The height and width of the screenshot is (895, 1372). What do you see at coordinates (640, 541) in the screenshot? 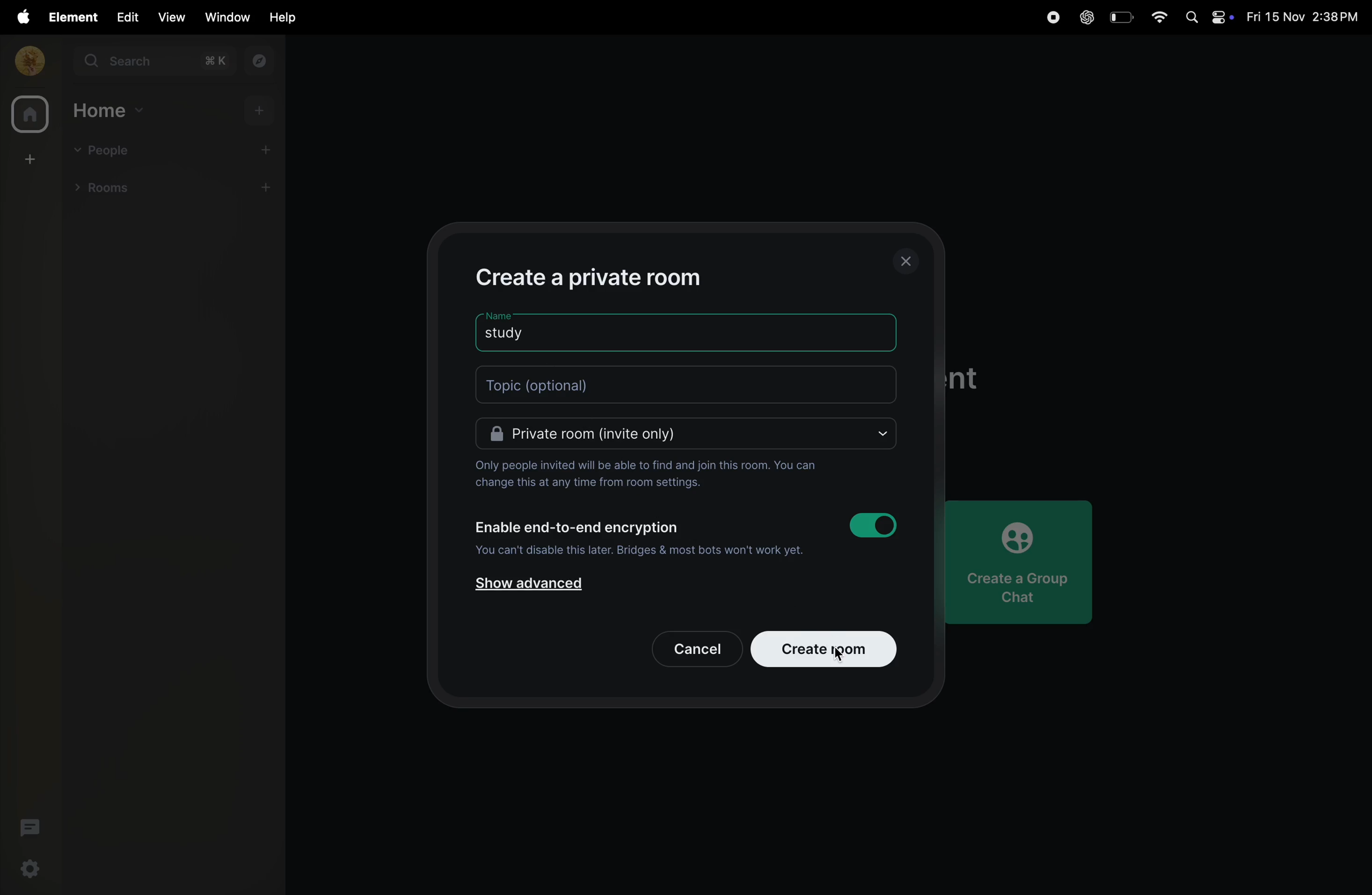
I see `Enable end-to-end encryption
You can't disable this later. Bridges & most bots won't work yet.` at bounding box center [640, 541].